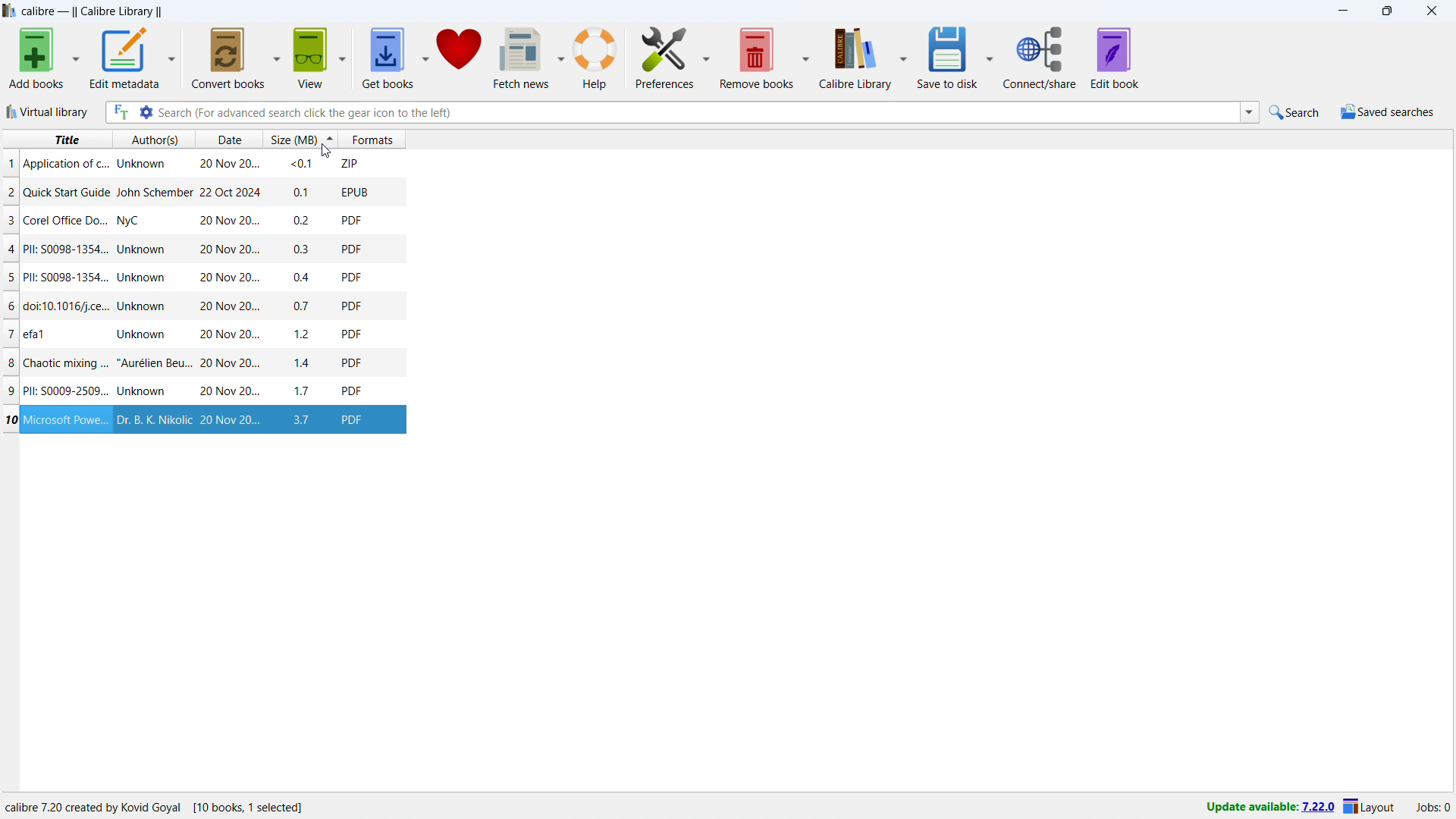 The height and width of the screenshot is (819, 1456). Describe the element at coordinates (303, 219) in the screenshot. I see `size` at that location.